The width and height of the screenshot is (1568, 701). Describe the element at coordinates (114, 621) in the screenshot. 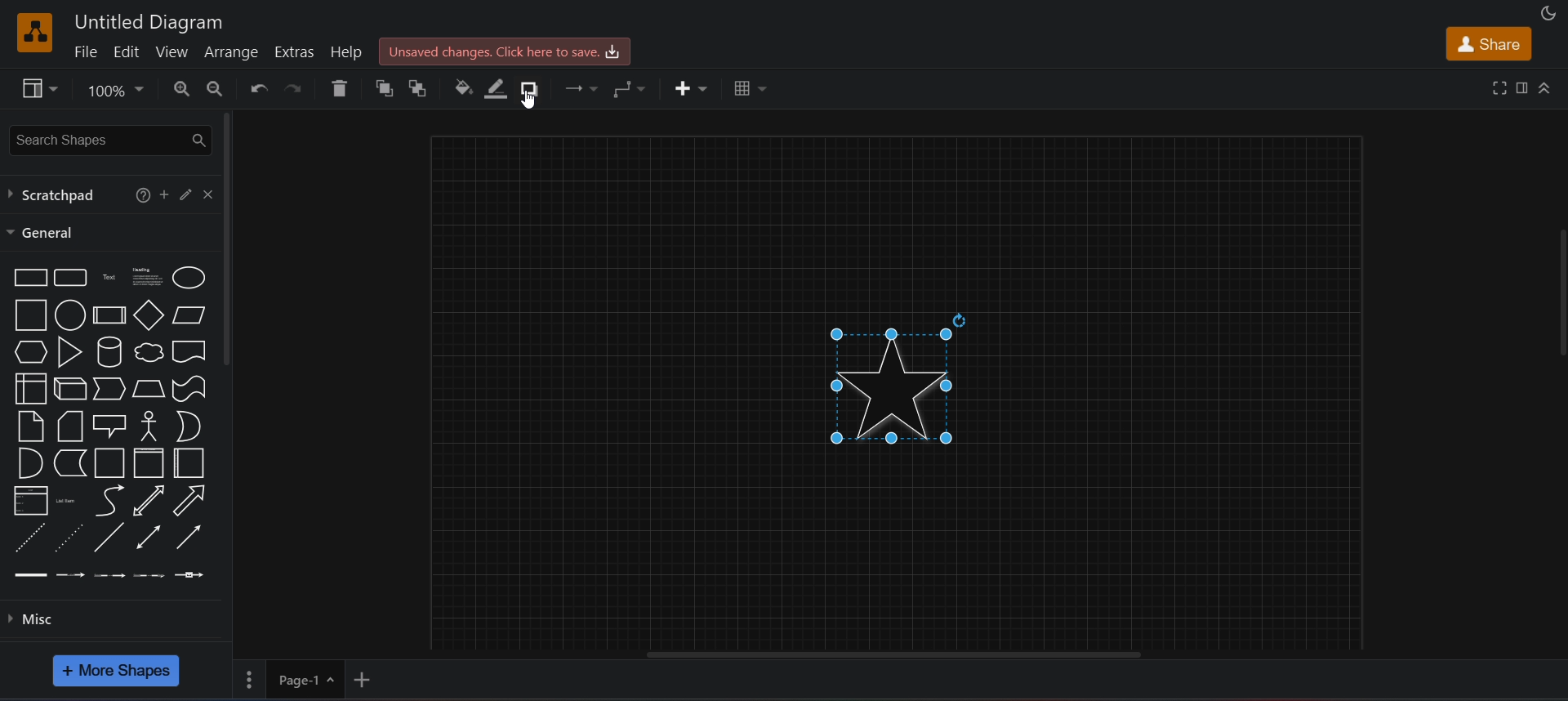

I see `misc` at that location.